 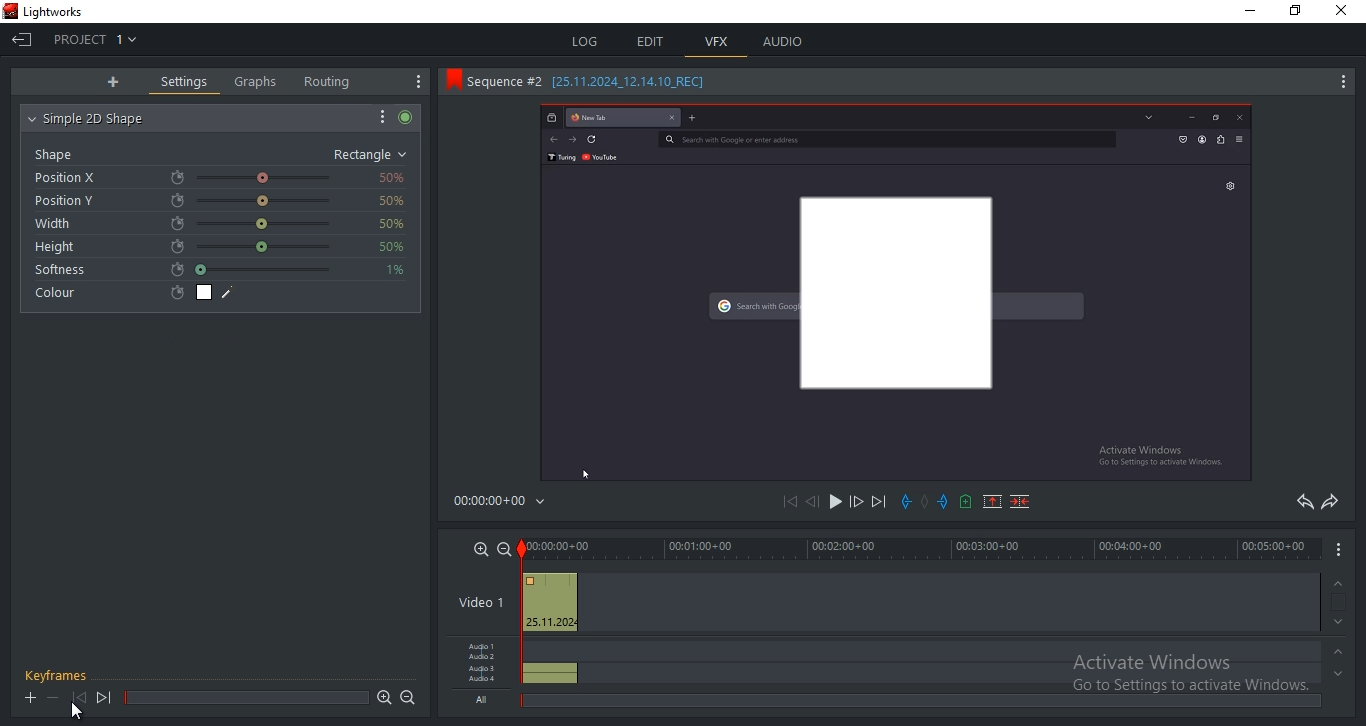 I want to click on height, so click(x=221, y=246).